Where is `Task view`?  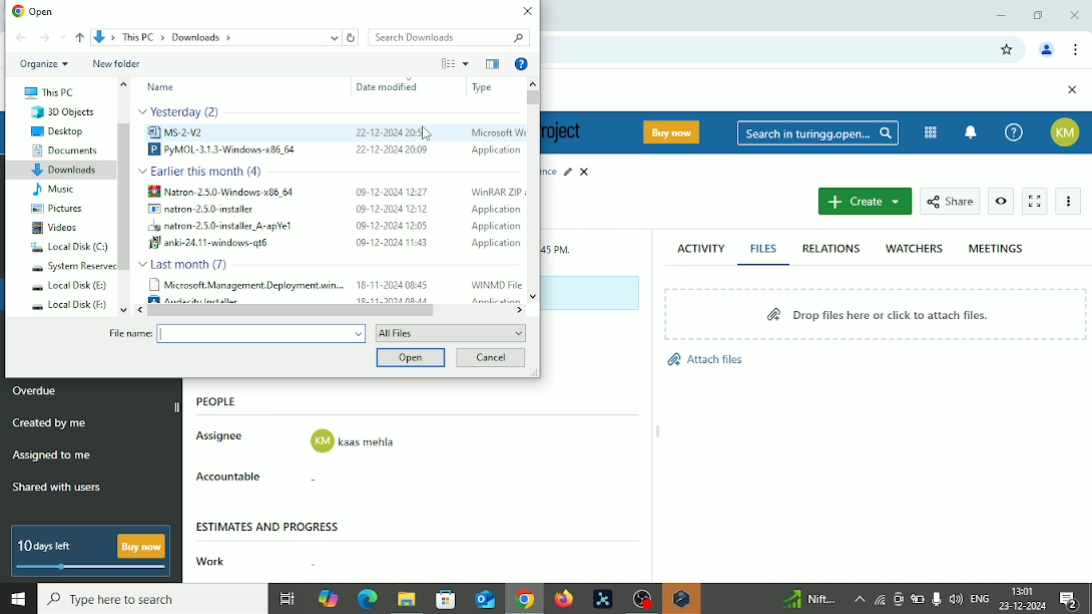 Task view is located at coordinates (287, 601).